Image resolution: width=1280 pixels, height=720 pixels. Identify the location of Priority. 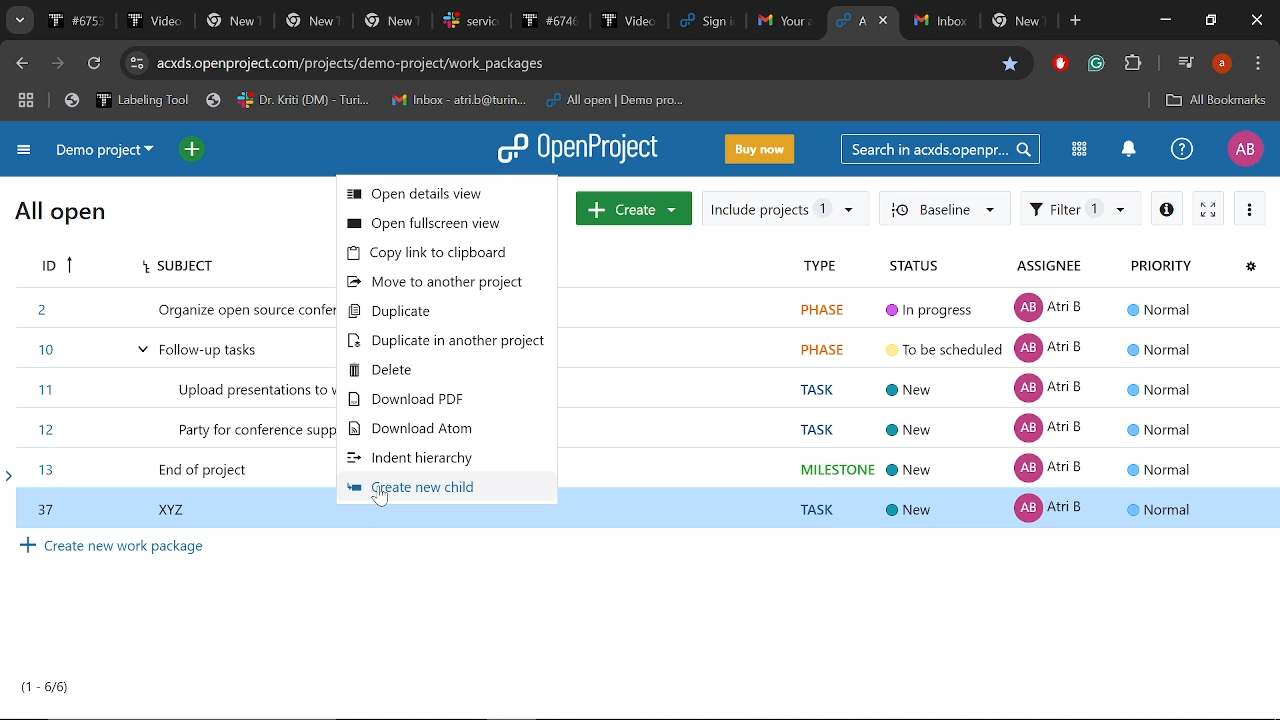
(1160, 268).